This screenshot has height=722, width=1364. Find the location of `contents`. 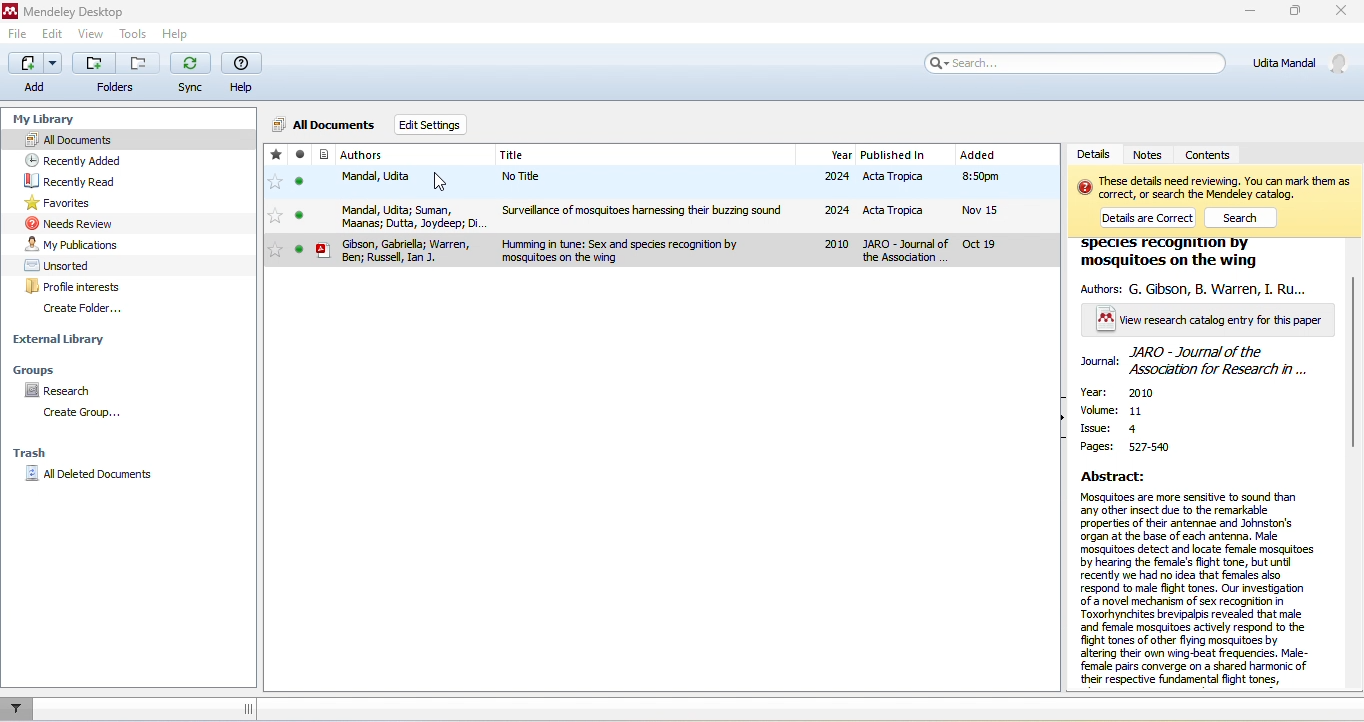

contents is located at coordinates (1208, 153).